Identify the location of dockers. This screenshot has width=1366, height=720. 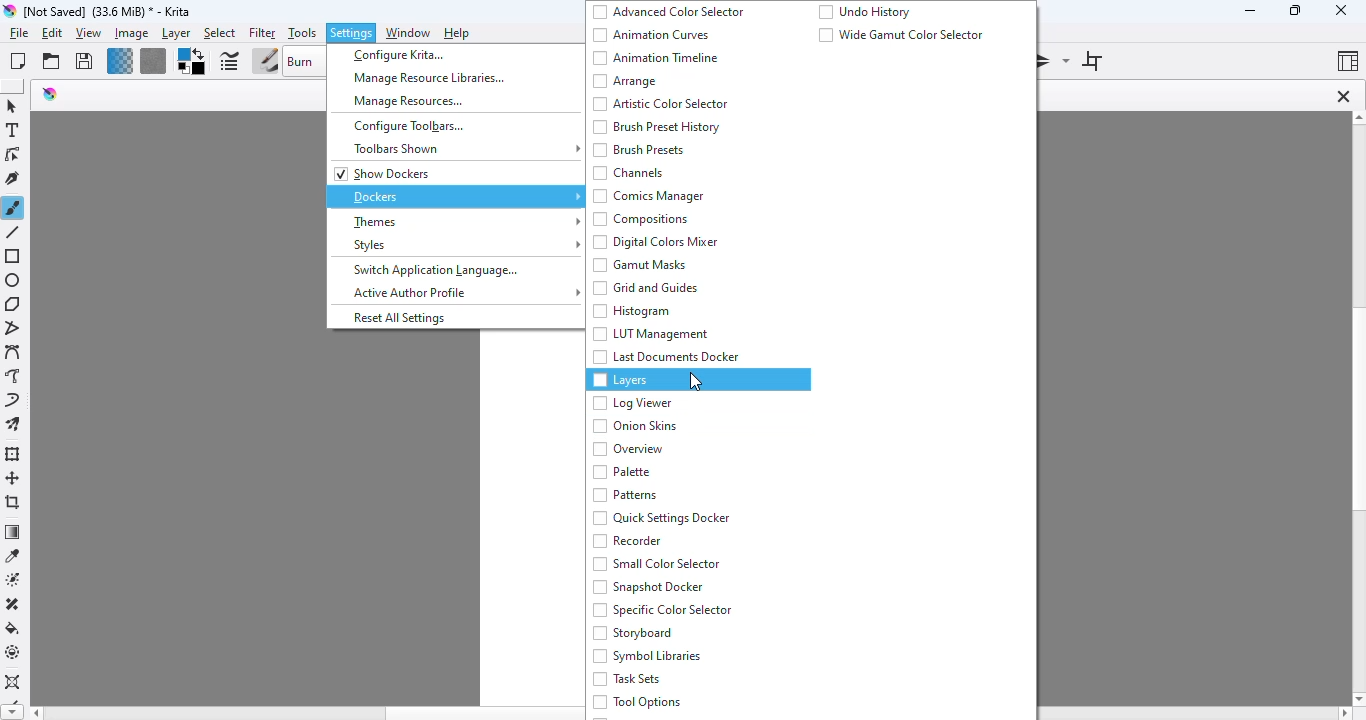
(457, 196).